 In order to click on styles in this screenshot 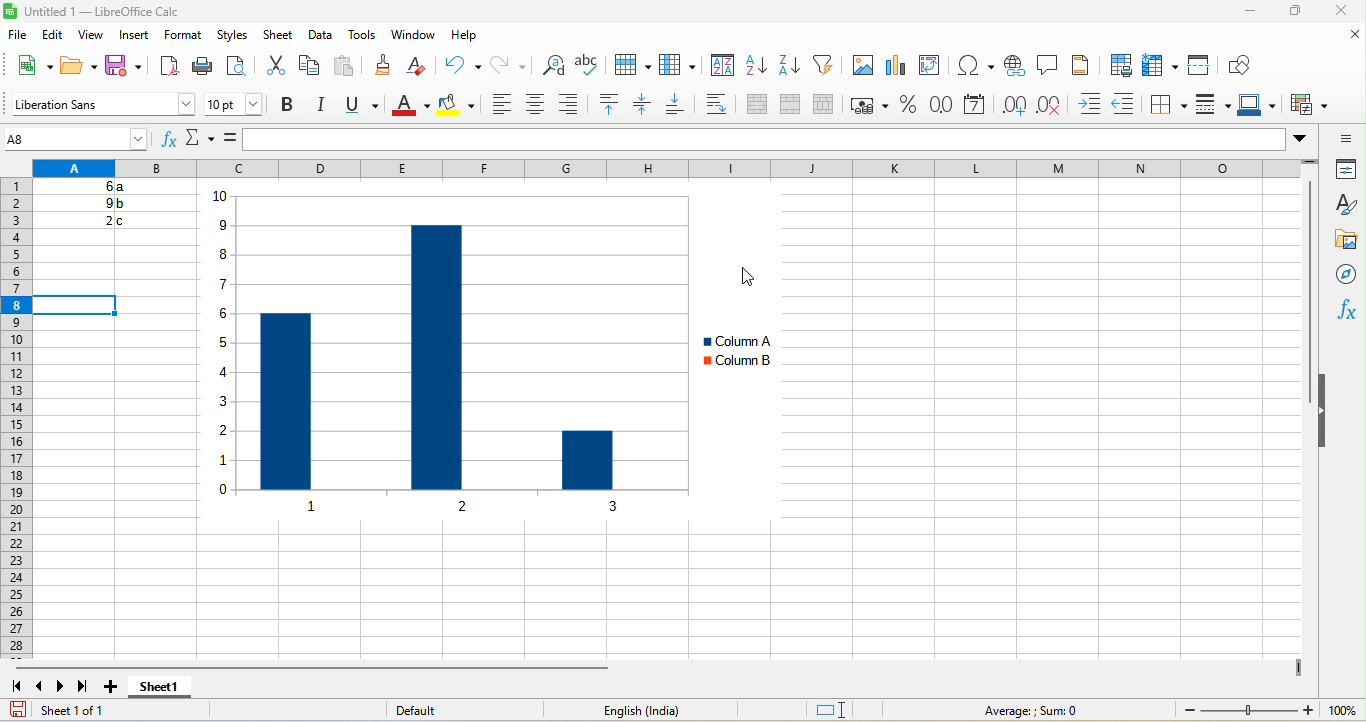, I will do `click(1339, 204)`.